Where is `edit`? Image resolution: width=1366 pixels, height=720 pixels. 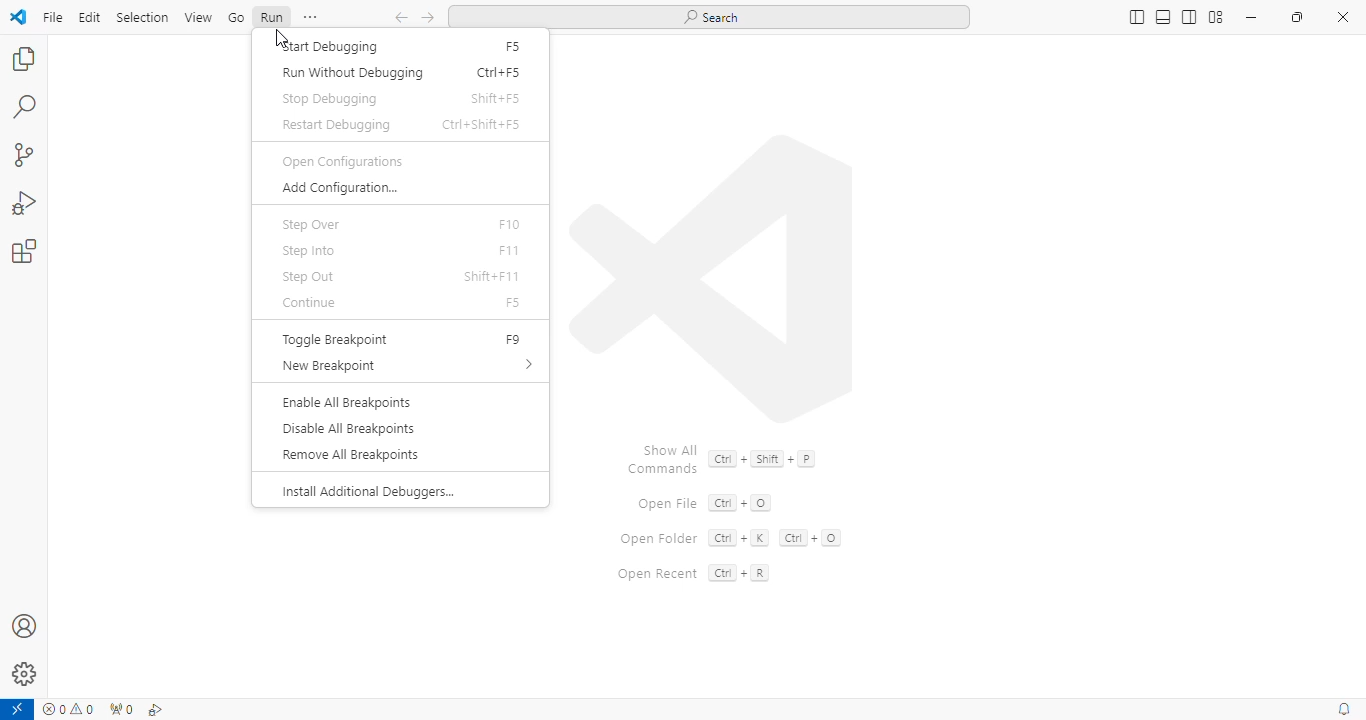 edit is located at coordinates (90, 17).